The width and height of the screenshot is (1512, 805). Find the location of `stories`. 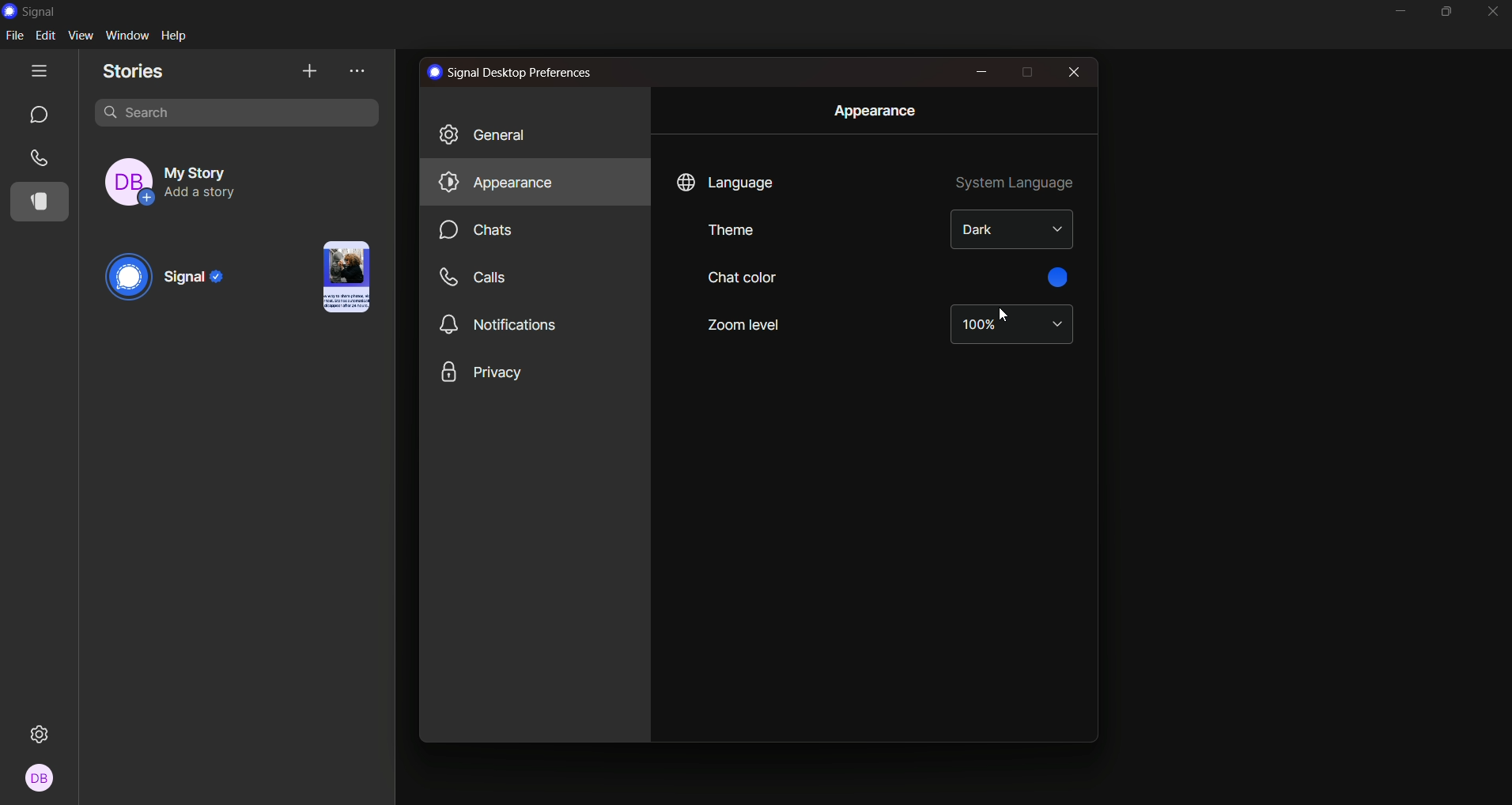

stories is located at coordinates (136, 72).